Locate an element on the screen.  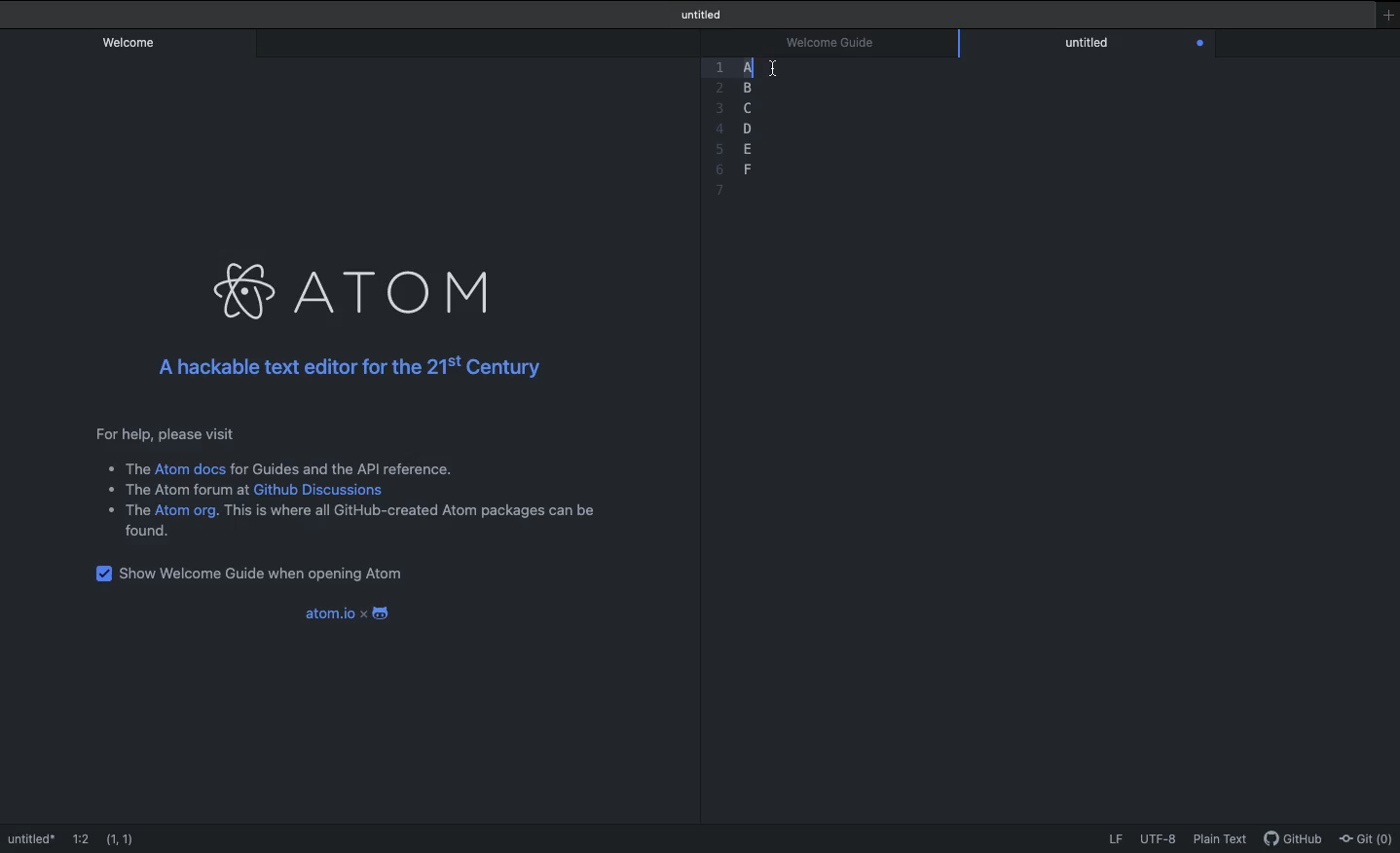
Welcome guide is located at coordinates (831, 44).